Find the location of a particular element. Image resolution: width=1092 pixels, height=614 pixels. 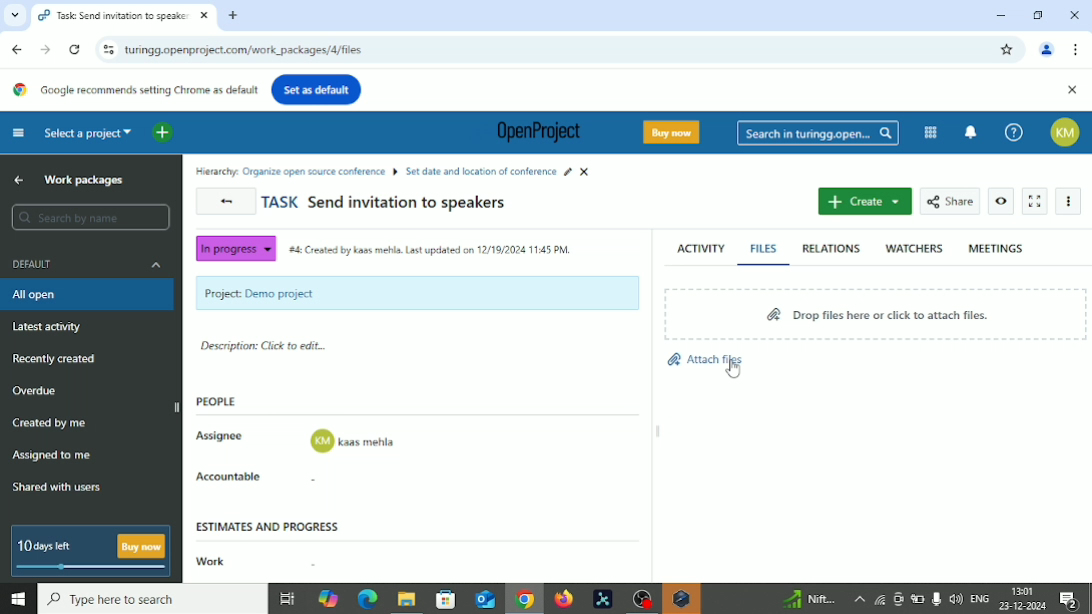

File explorer is located at coordinates (405, 601).